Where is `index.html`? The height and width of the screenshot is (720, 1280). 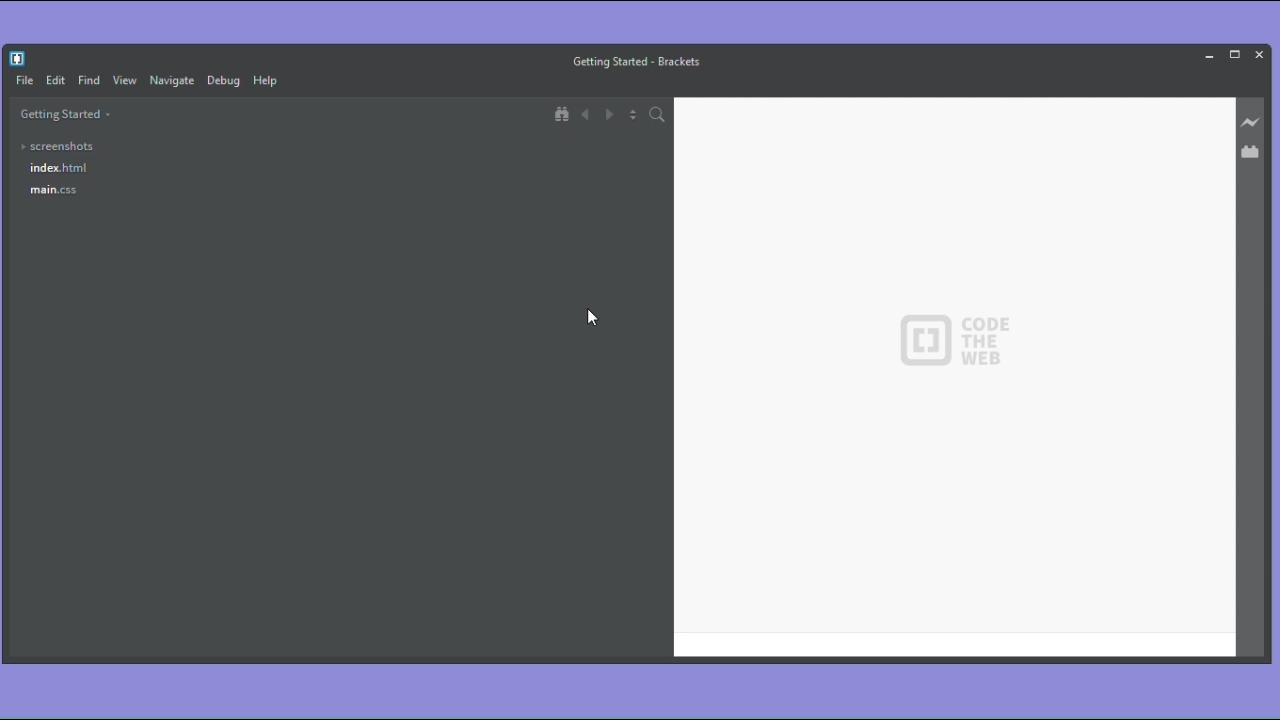
index.html is located at coordinates (59, 167).